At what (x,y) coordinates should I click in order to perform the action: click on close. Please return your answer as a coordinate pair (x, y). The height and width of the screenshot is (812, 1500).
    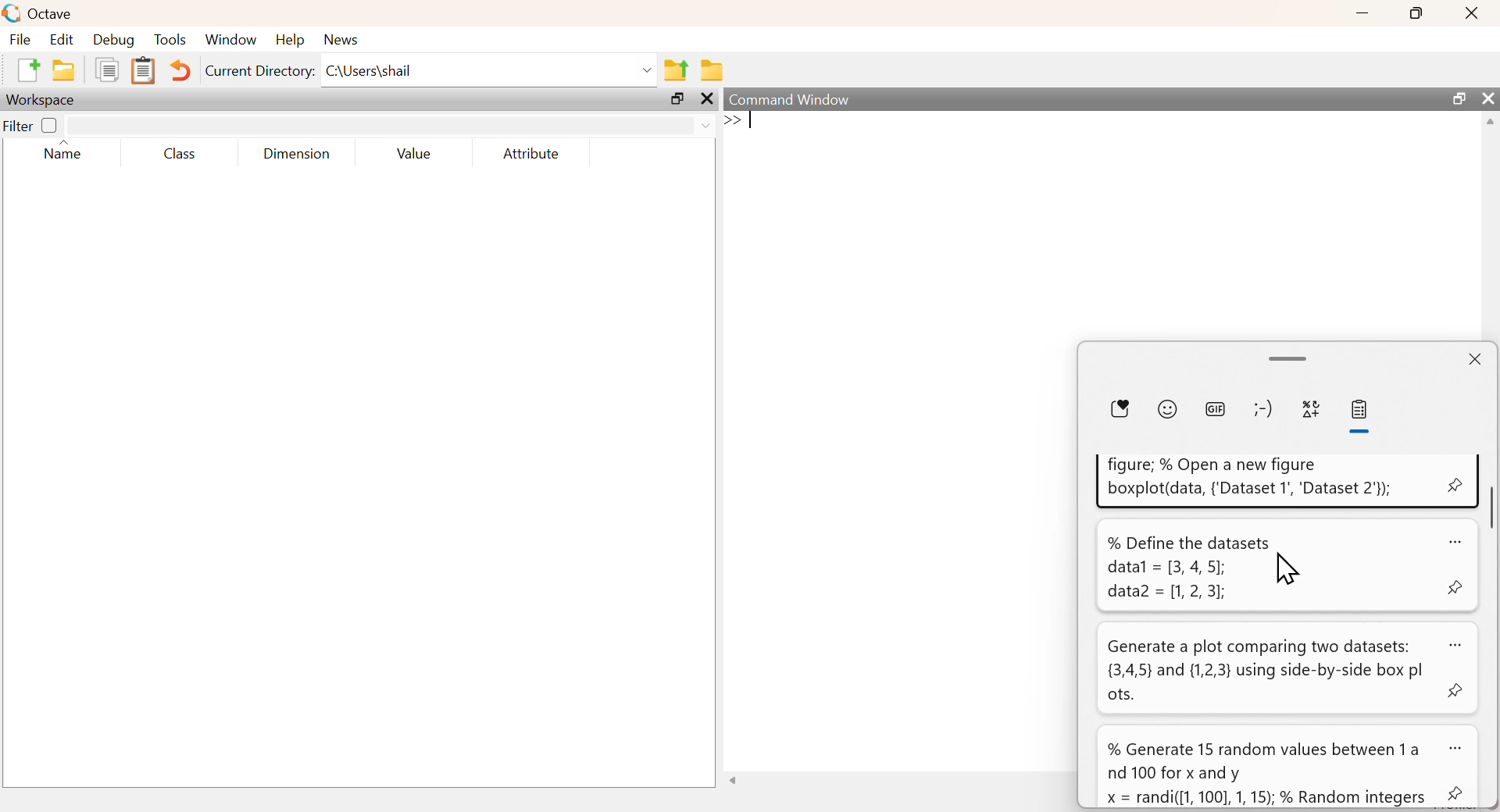
    Looking at the image, I should click on (1488, 98).